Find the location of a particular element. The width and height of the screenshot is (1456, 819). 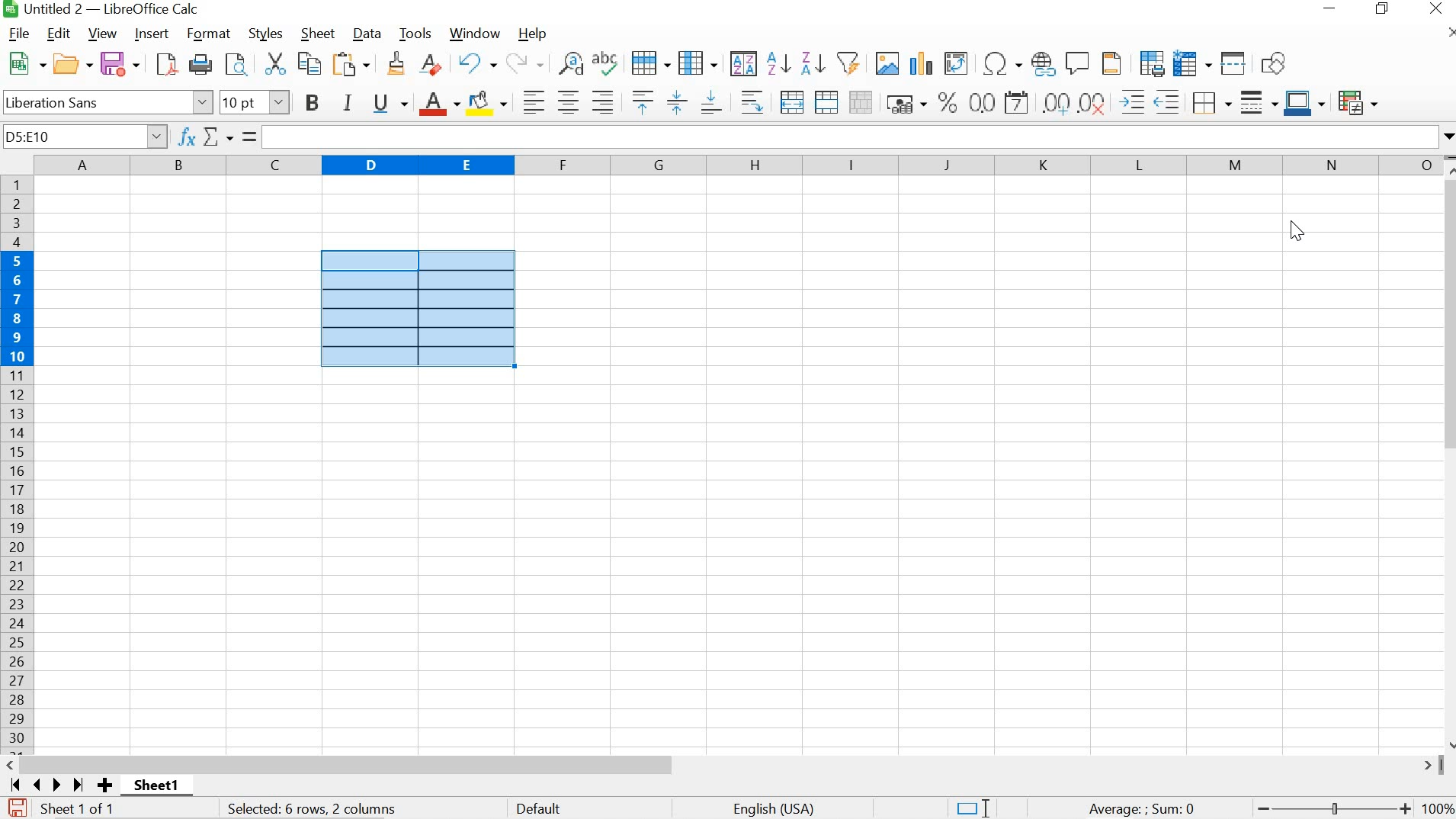

BORDERS is located at coordinates (1214, 104).